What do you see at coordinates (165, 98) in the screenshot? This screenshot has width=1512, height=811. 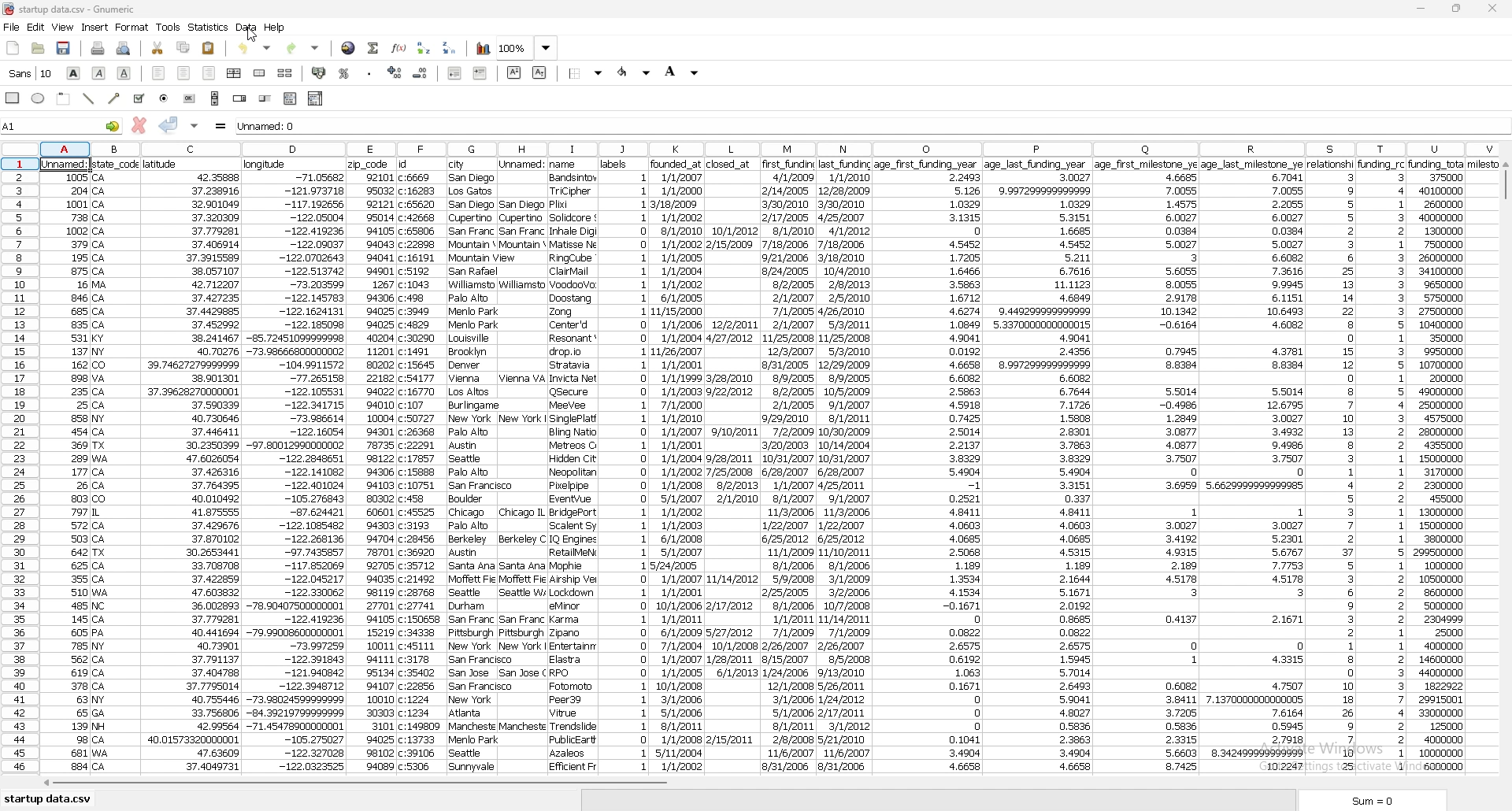 I see `radio button` at bounding box center [165, 98].